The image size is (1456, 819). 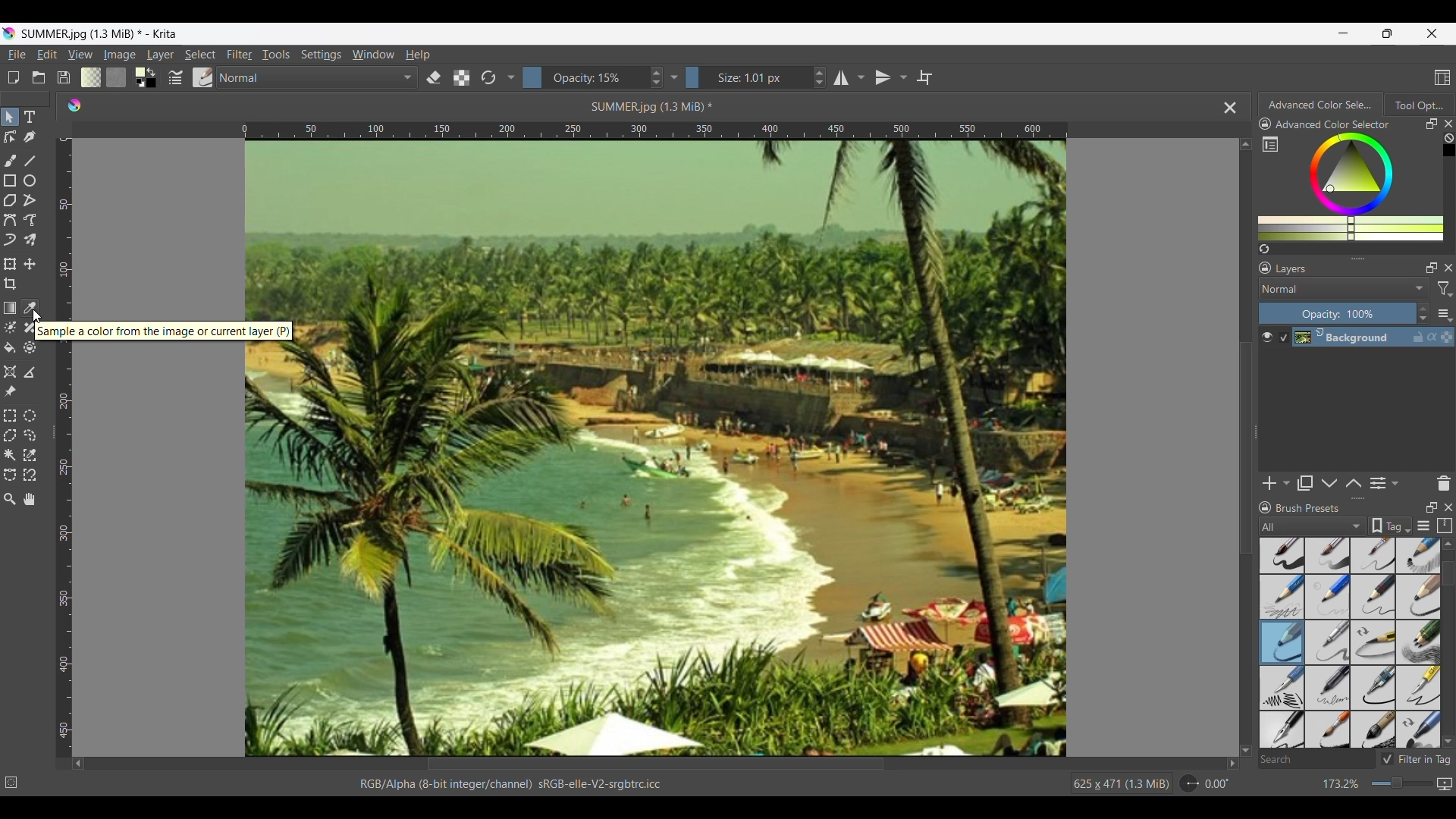 I want to click on Layers, so click(x=1292, y=269).